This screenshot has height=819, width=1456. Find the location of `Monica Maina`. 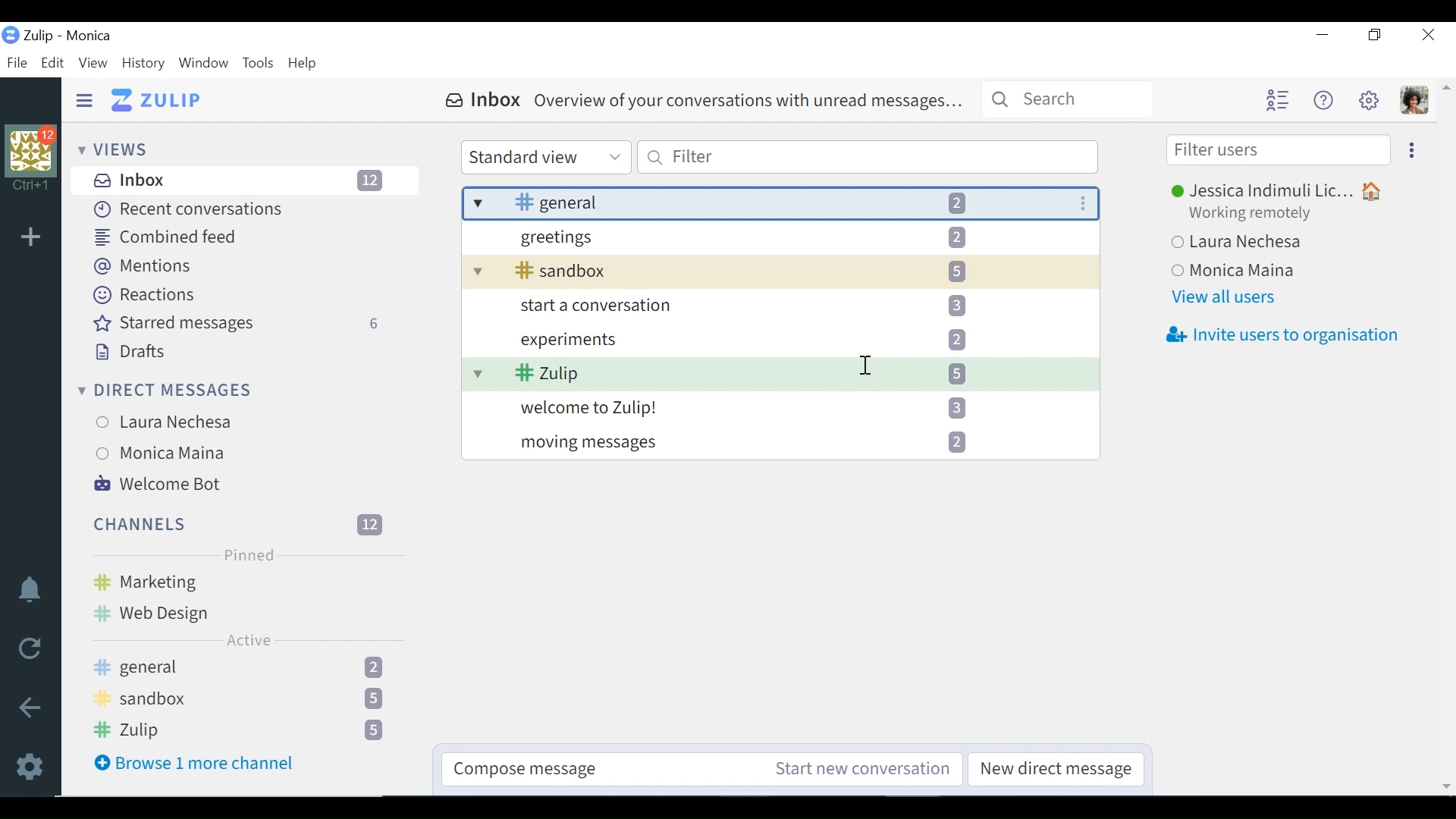

Monica Maina is located at coordinates (1235, 271).